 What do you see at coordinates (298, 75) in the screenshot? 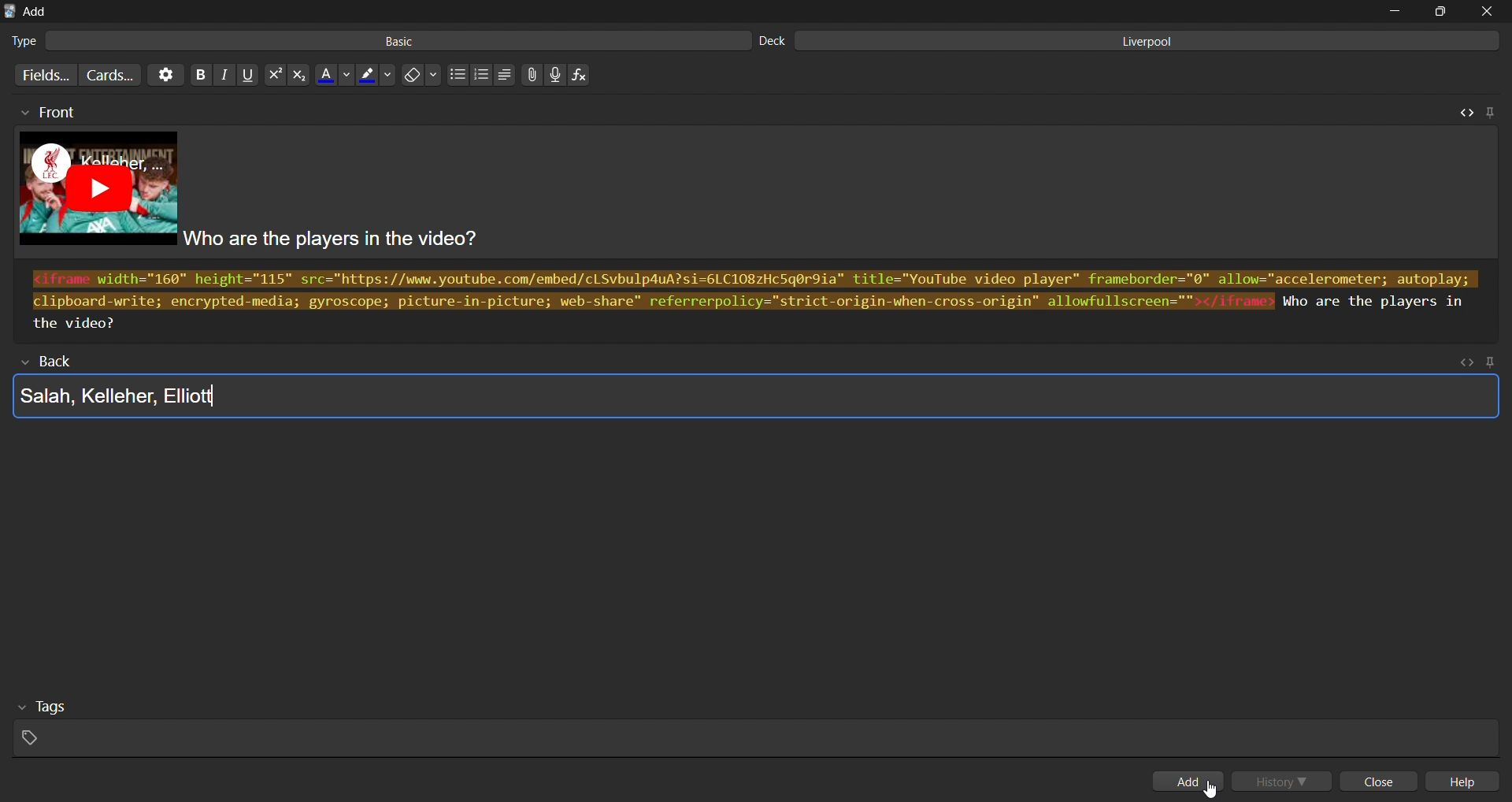
I see `subscript` at bounding box center [298, 75].